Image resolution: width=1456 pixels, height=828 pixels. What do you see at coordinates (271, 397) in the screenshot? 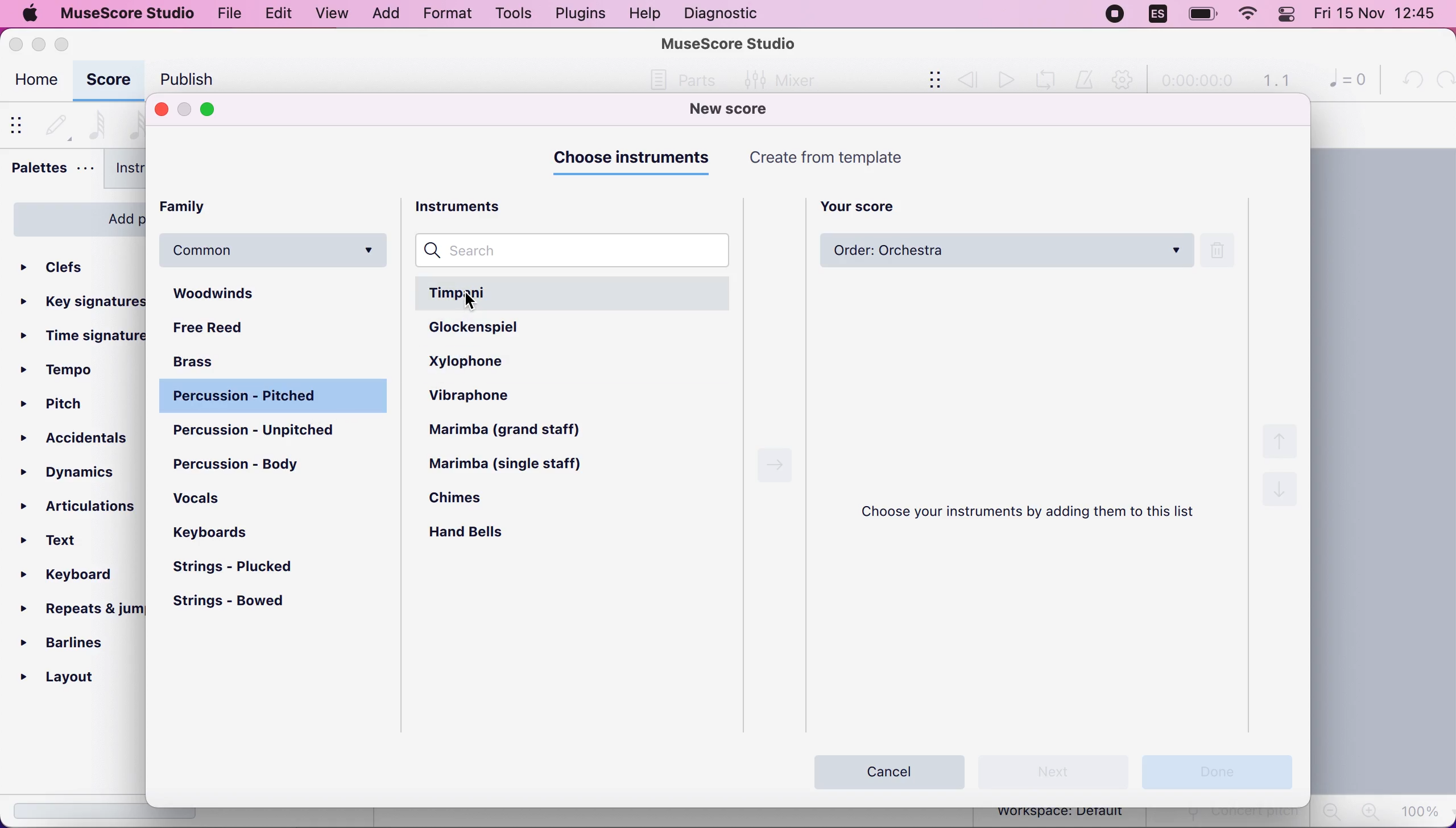
I see `percussion - pitched` at bounding box center [271, 397].